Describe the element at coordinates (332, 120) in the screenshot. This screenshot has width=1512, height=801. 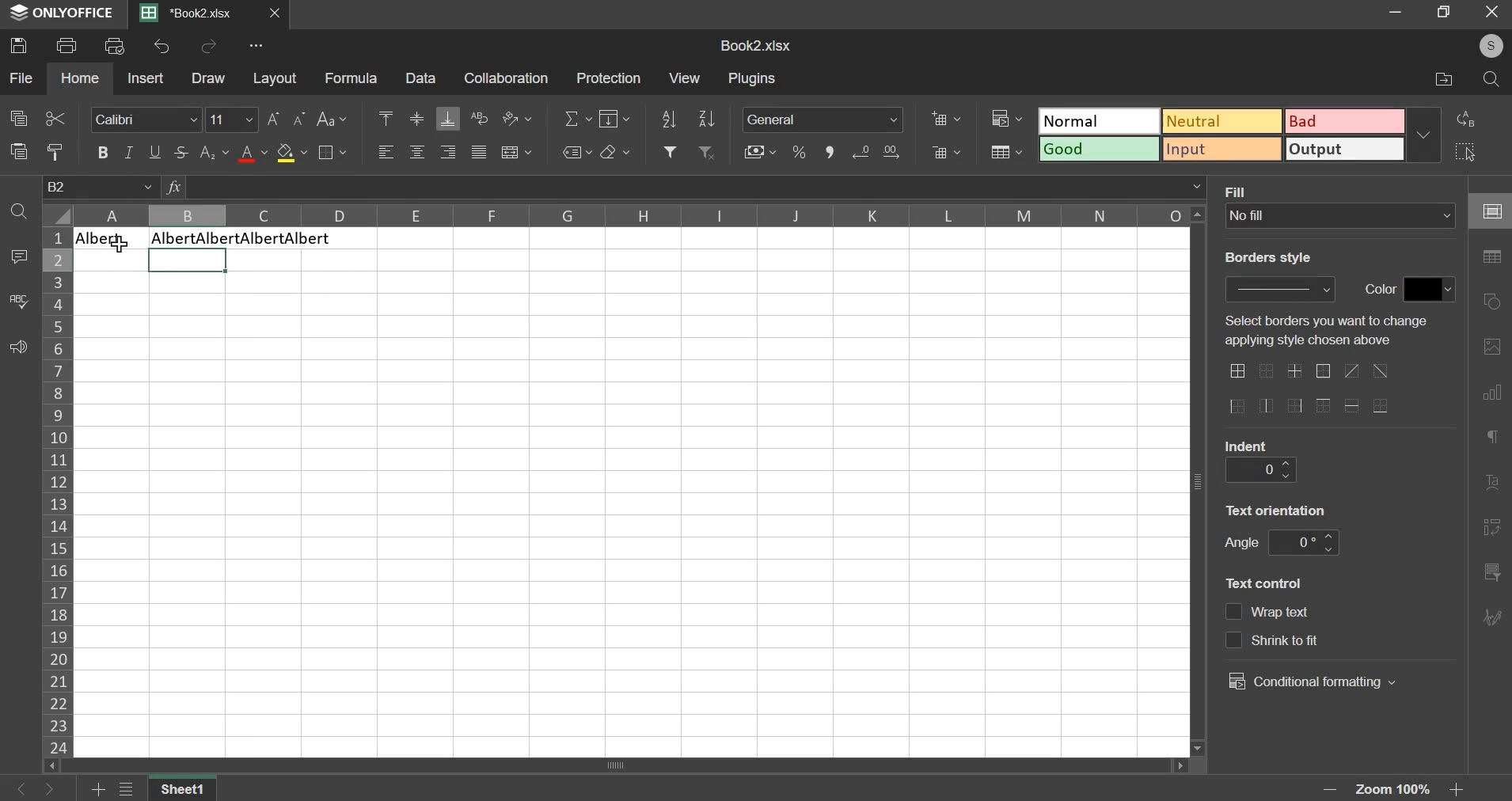
I see `change case` at that location.